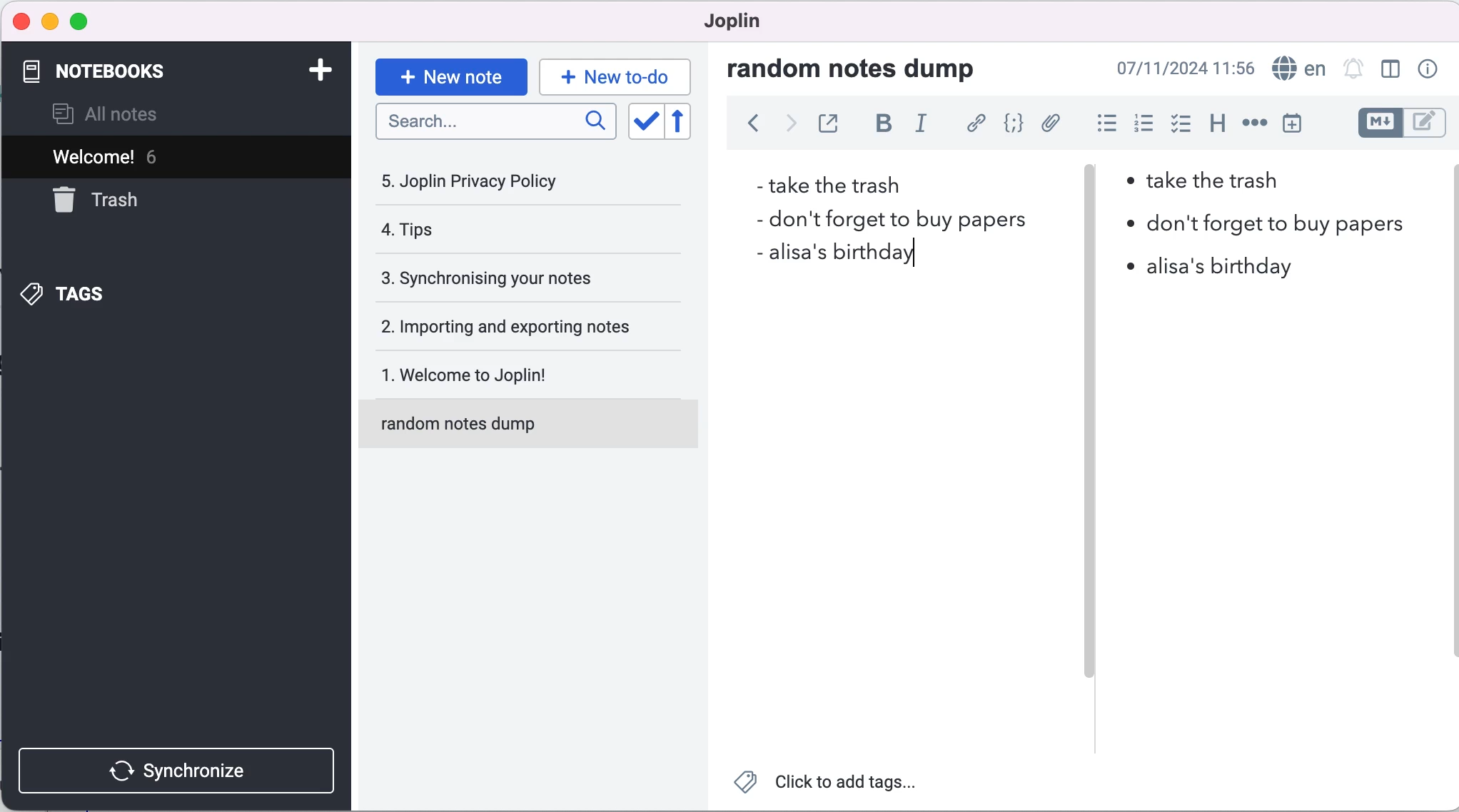  Describe the element at coordinates (141, 72) in the screenshot. I see `notebooks` at that location.